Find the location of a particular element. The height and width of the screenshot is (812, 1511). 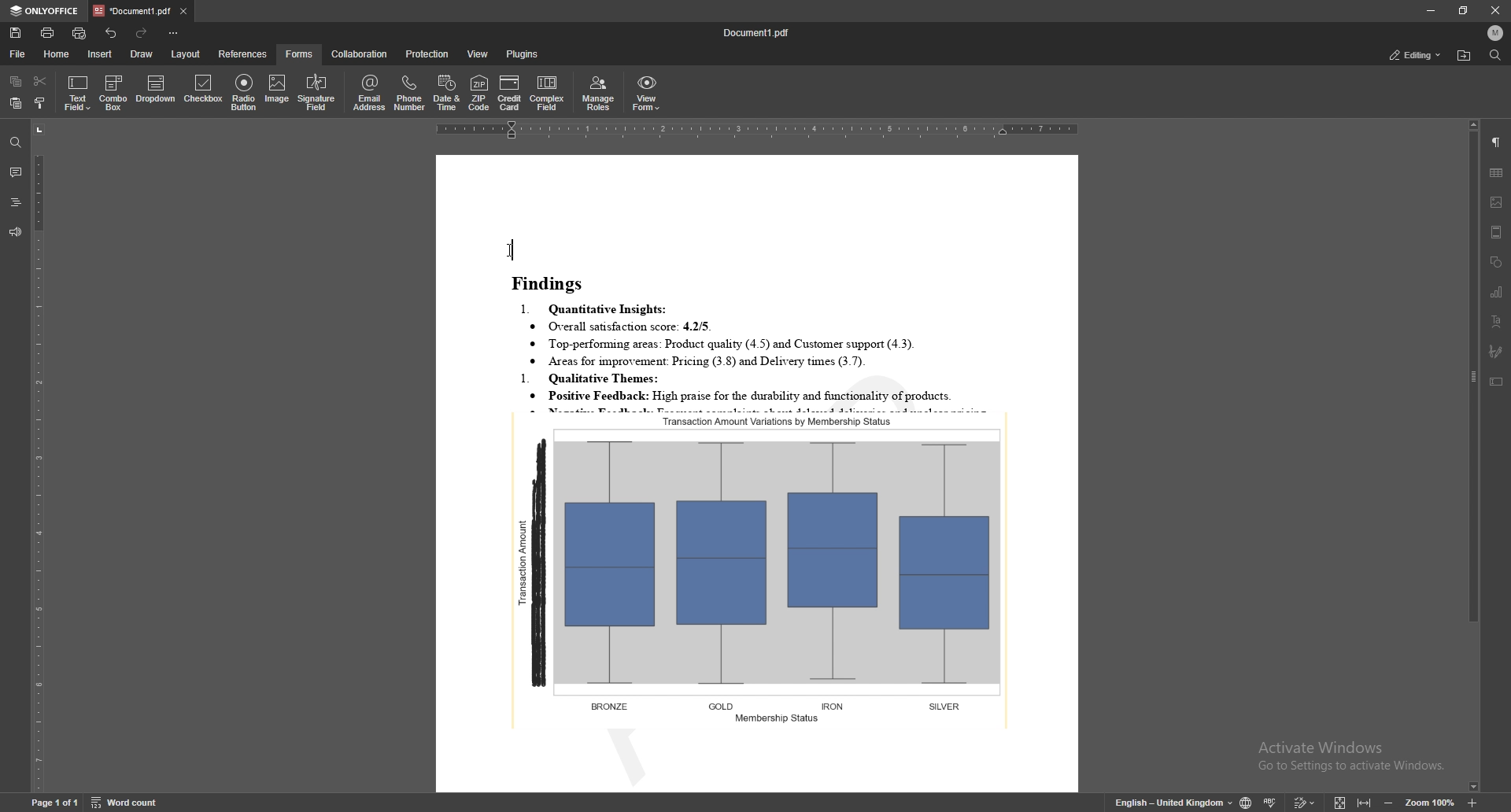

file is located at coordinates (18, 54).